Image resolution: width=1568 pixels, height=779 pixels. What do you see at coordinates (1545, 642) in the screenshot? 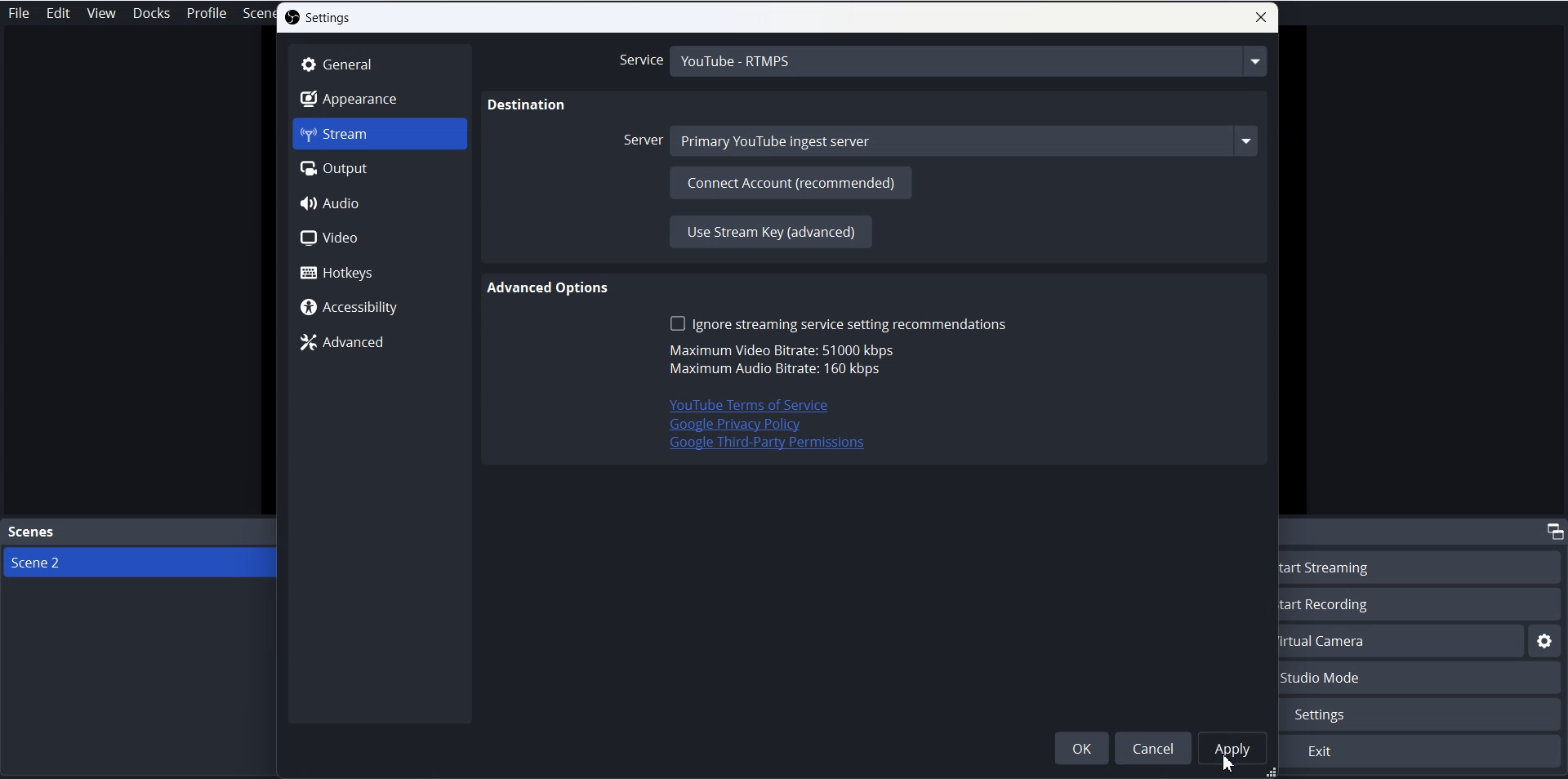
I see `settings` at bounding box center [1545, 642].